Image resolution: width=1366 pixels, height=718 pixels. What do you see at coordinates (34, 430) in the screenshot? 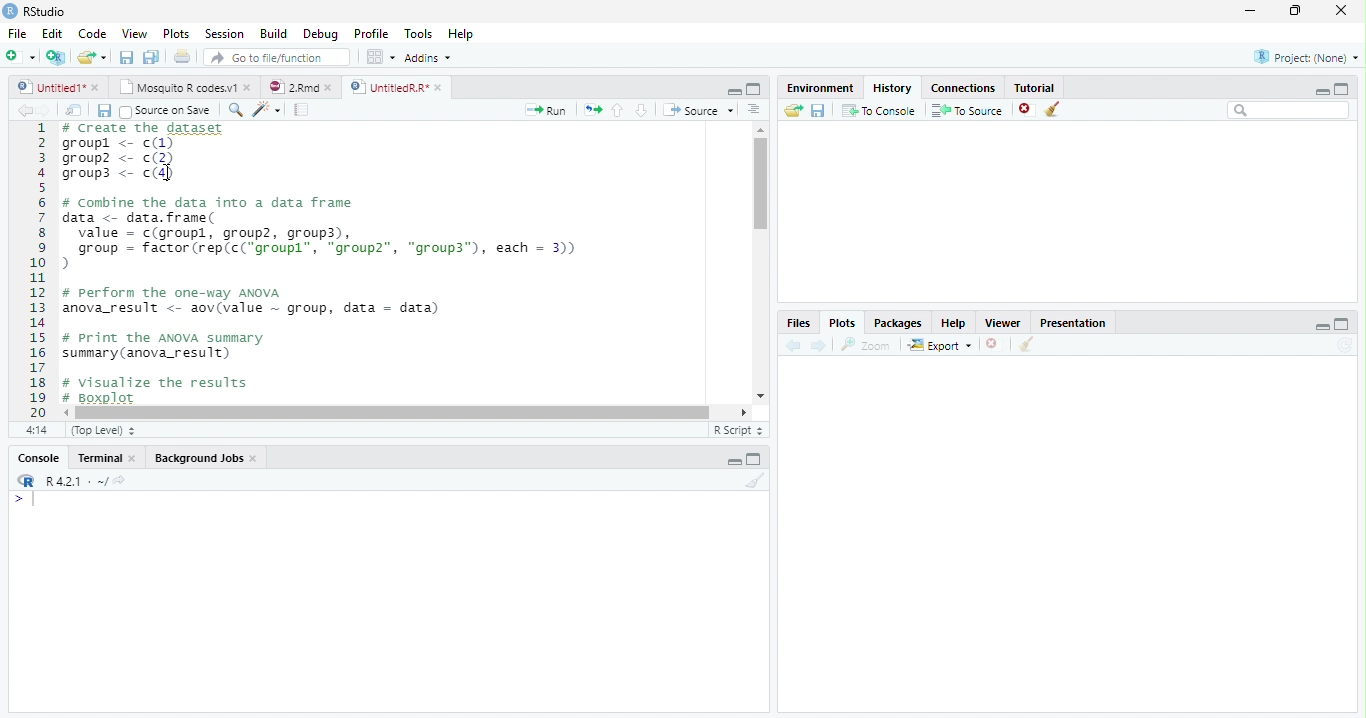
I see `1:1` at bounding box center [34, 430].